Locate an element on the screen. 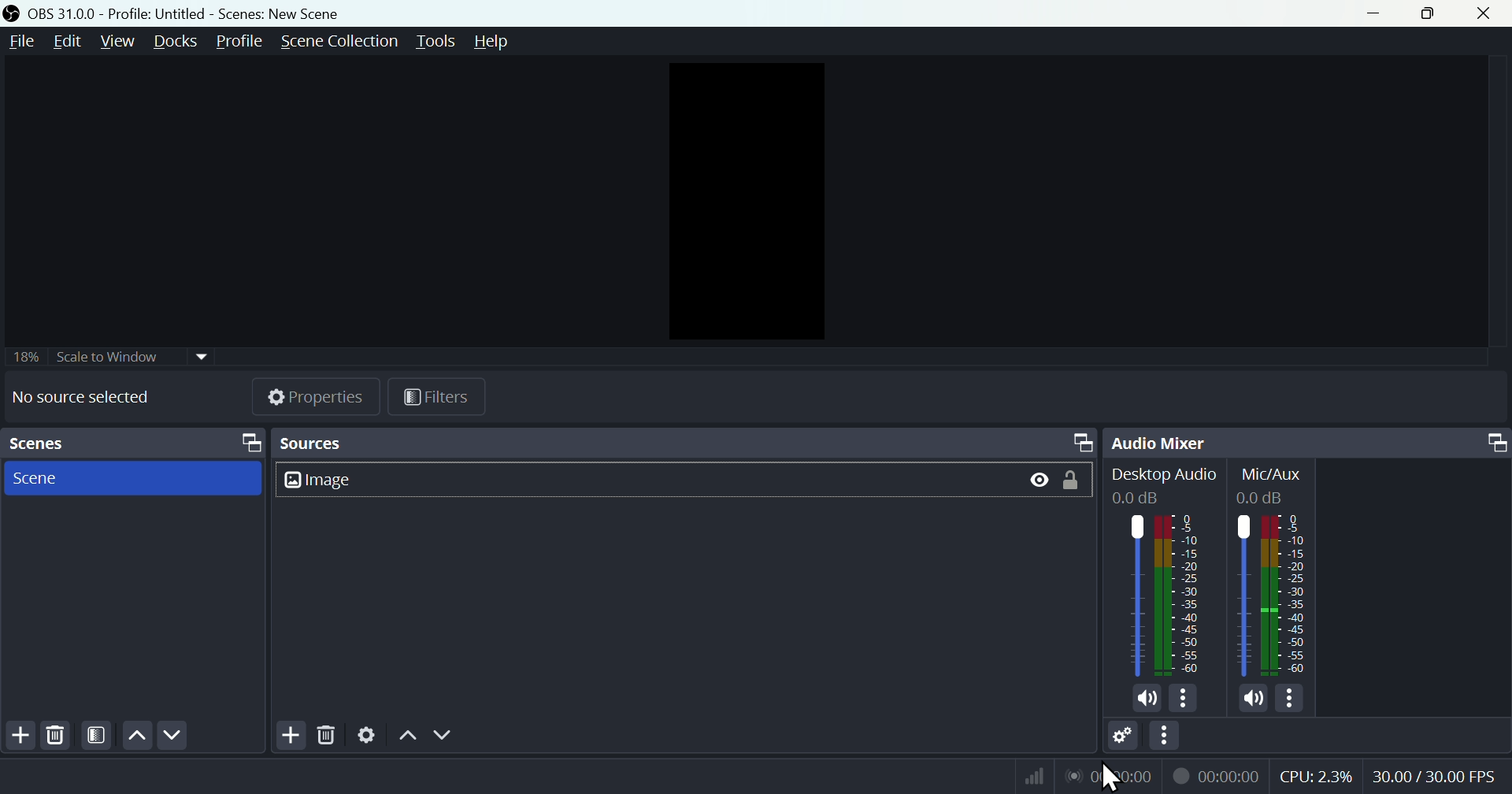 Image resolution: width=1512 pixels, height=794 pixels. Audio bar is located at coordinates (1165, 592).